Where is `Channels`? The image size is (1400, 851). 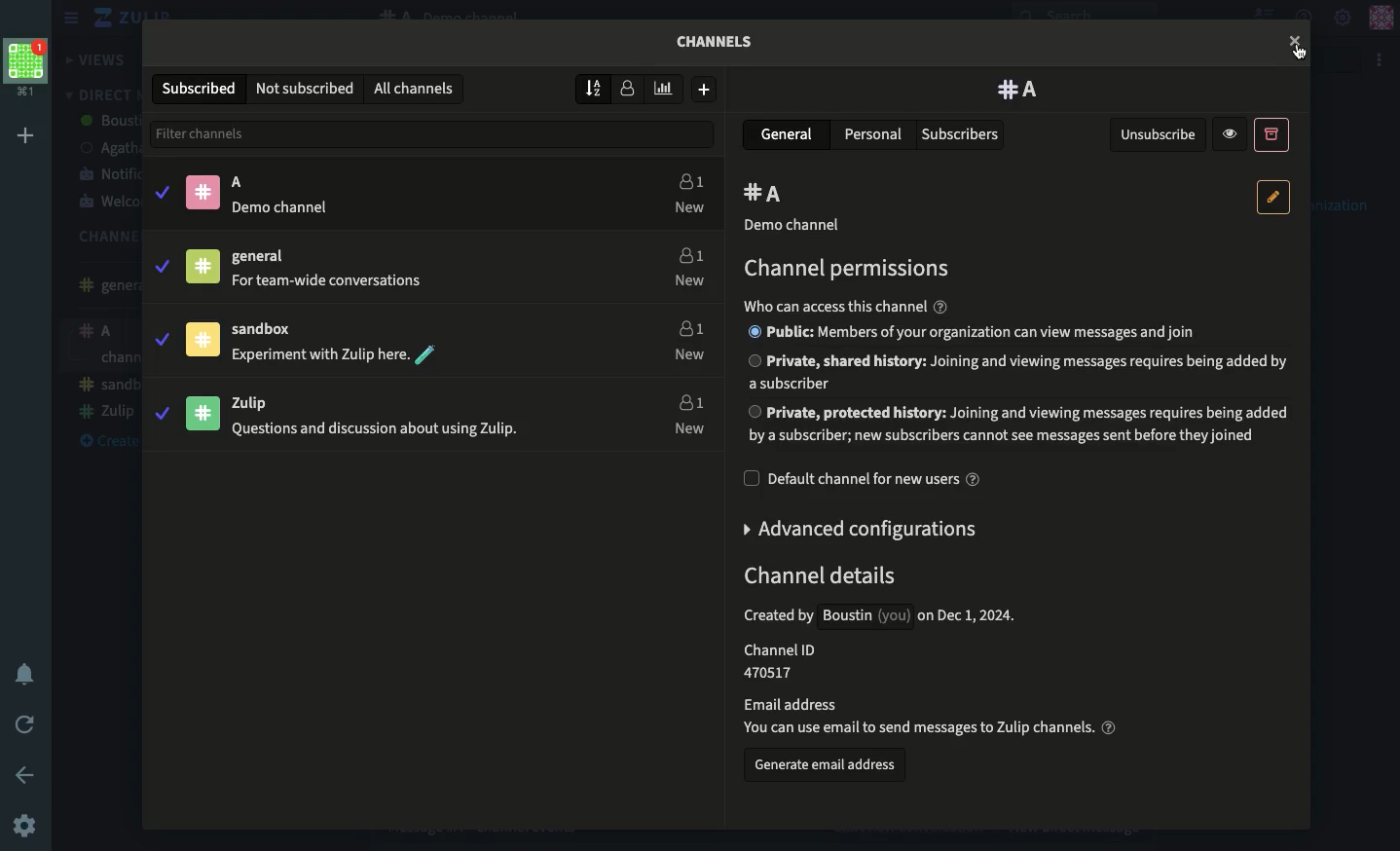 Channels is located at coordinates (100, 237).